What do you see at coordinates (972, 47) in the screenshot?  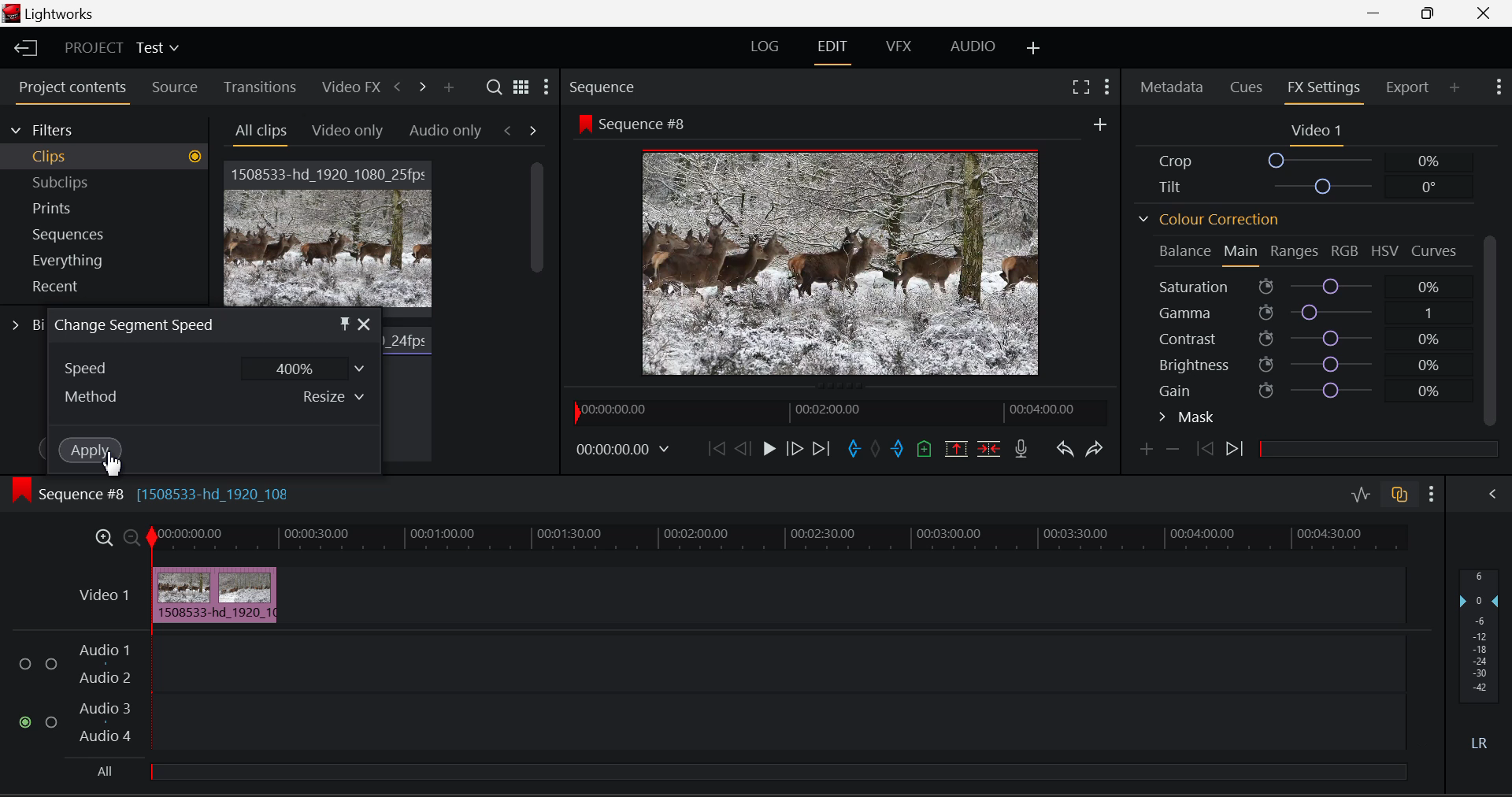 I see `AUDIO` at bounding box center [972, 47].